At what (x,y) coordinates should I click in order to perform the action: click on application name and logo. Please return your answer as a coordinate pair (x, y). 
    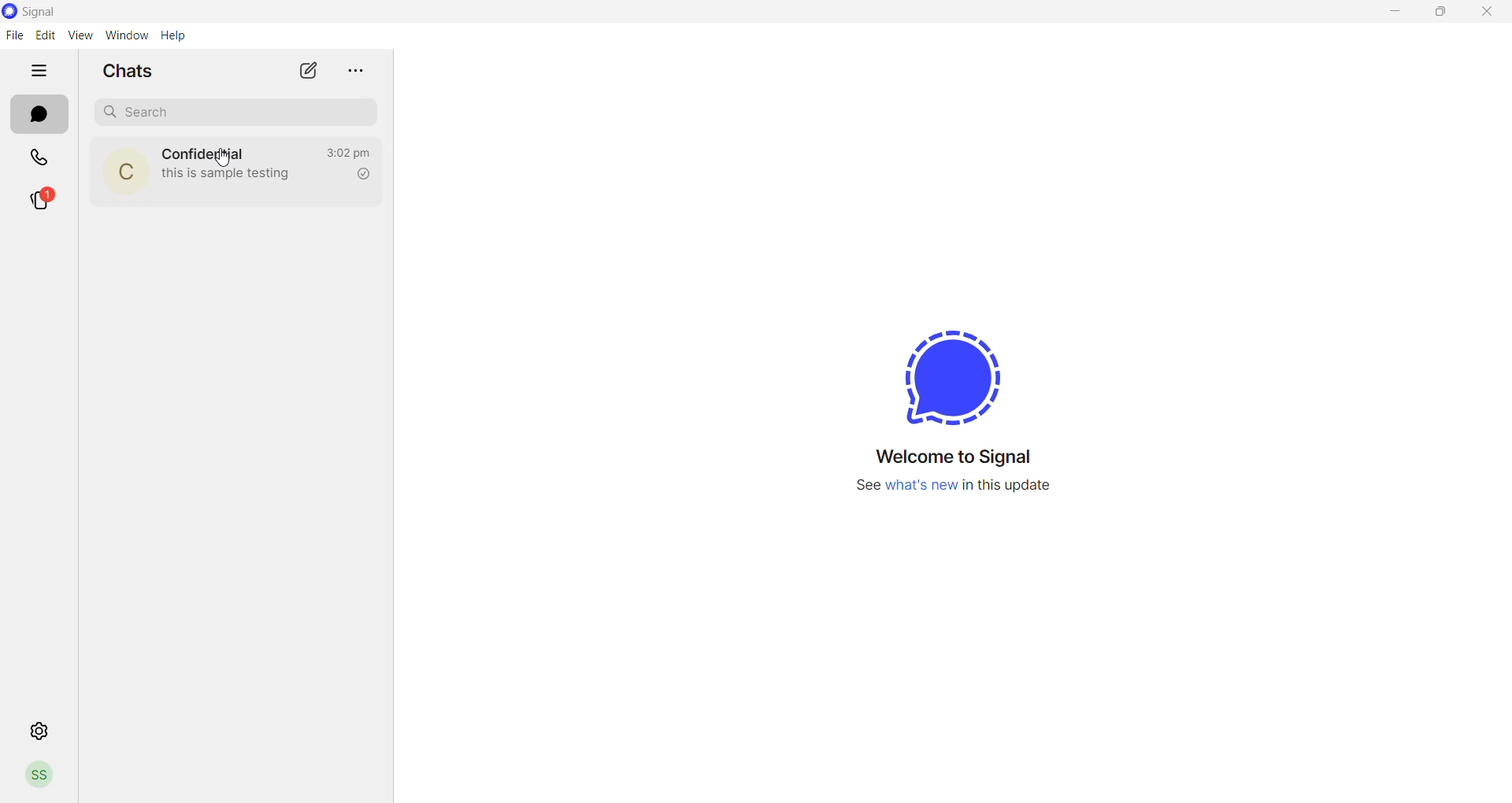
    Looking at the image, I should click on (45, 11).